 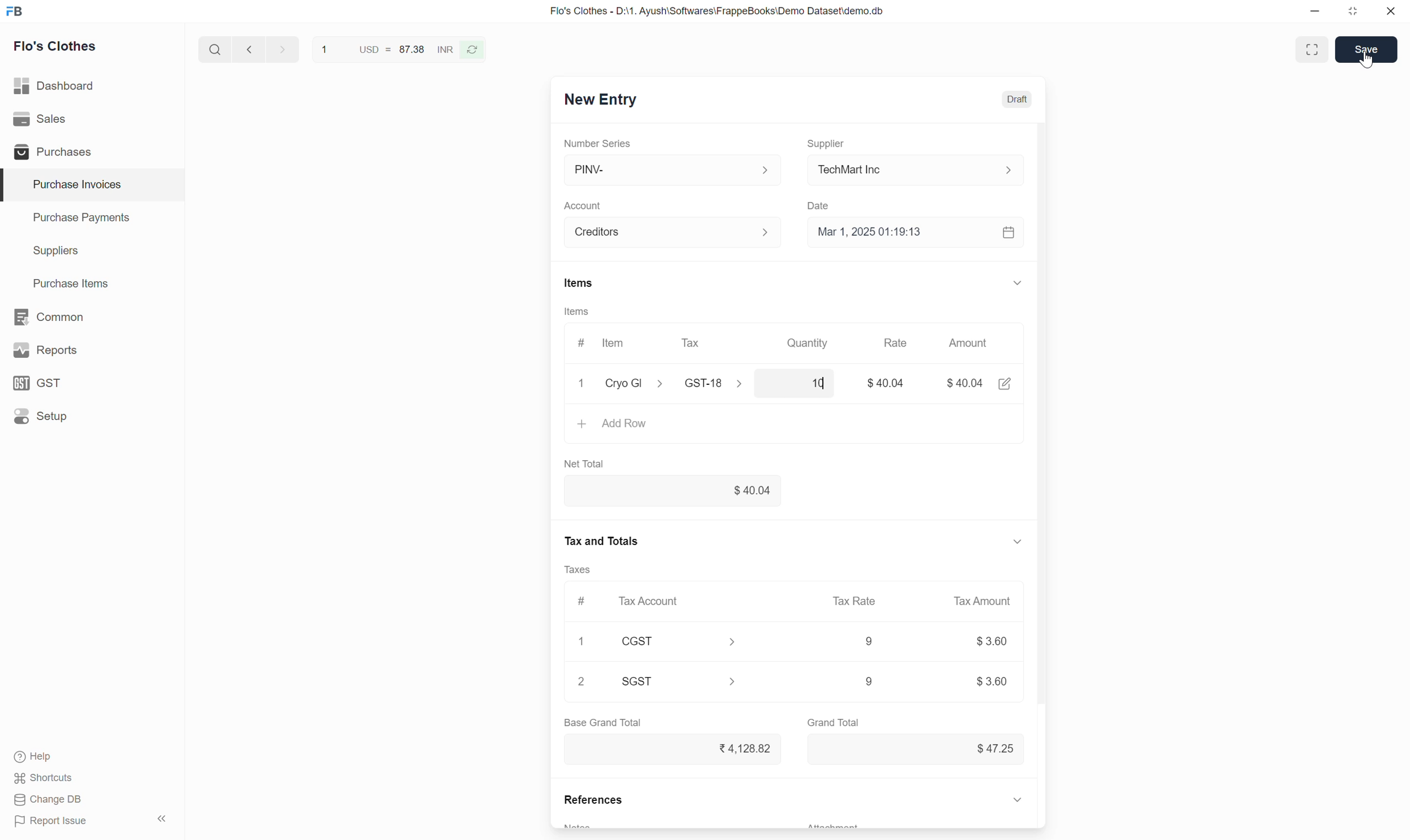 I want to click on Tax and Totals, so click(x=603, y=539).